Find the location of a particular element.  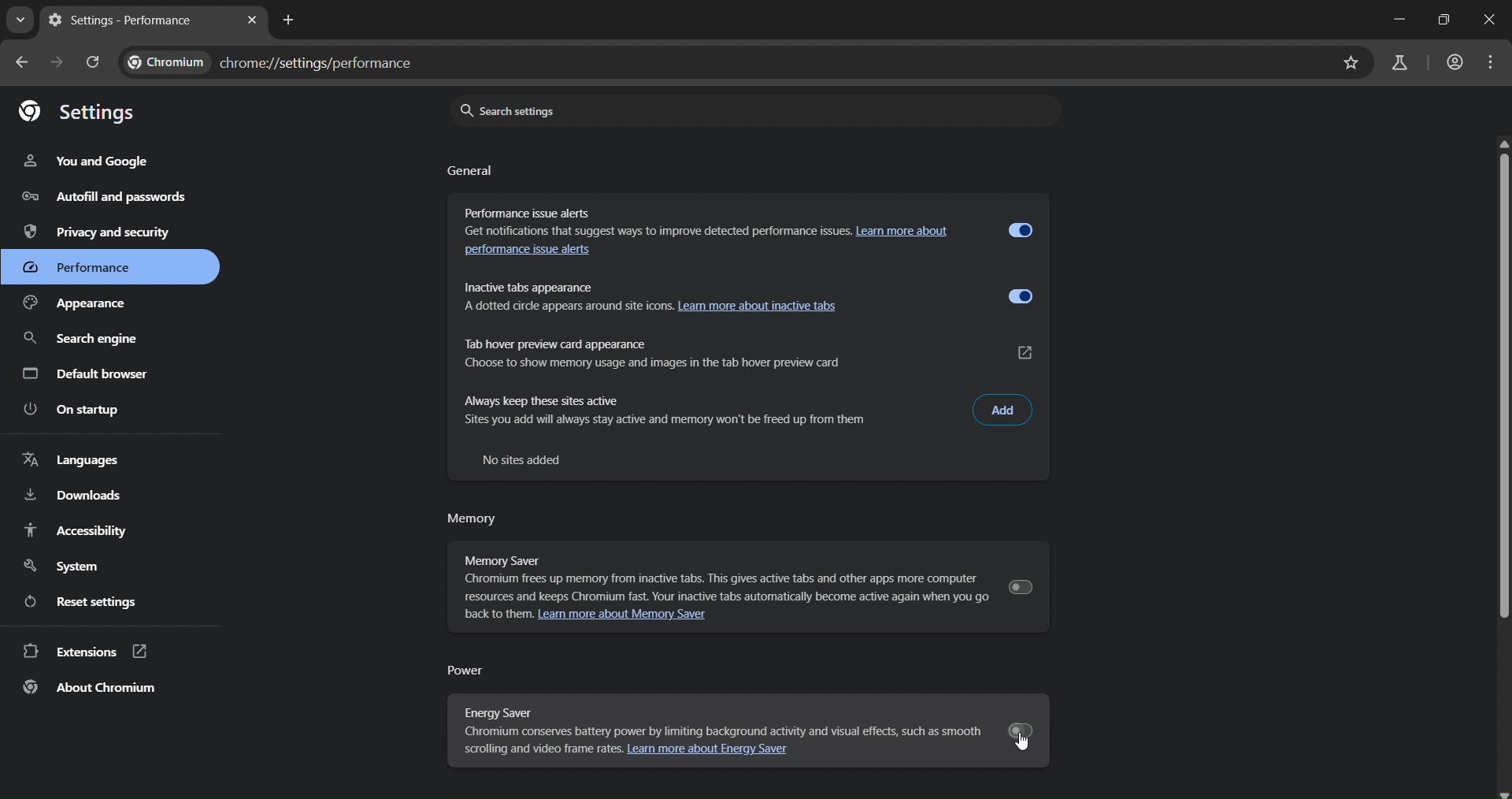

memory saver is located at coordinates (715, 572).